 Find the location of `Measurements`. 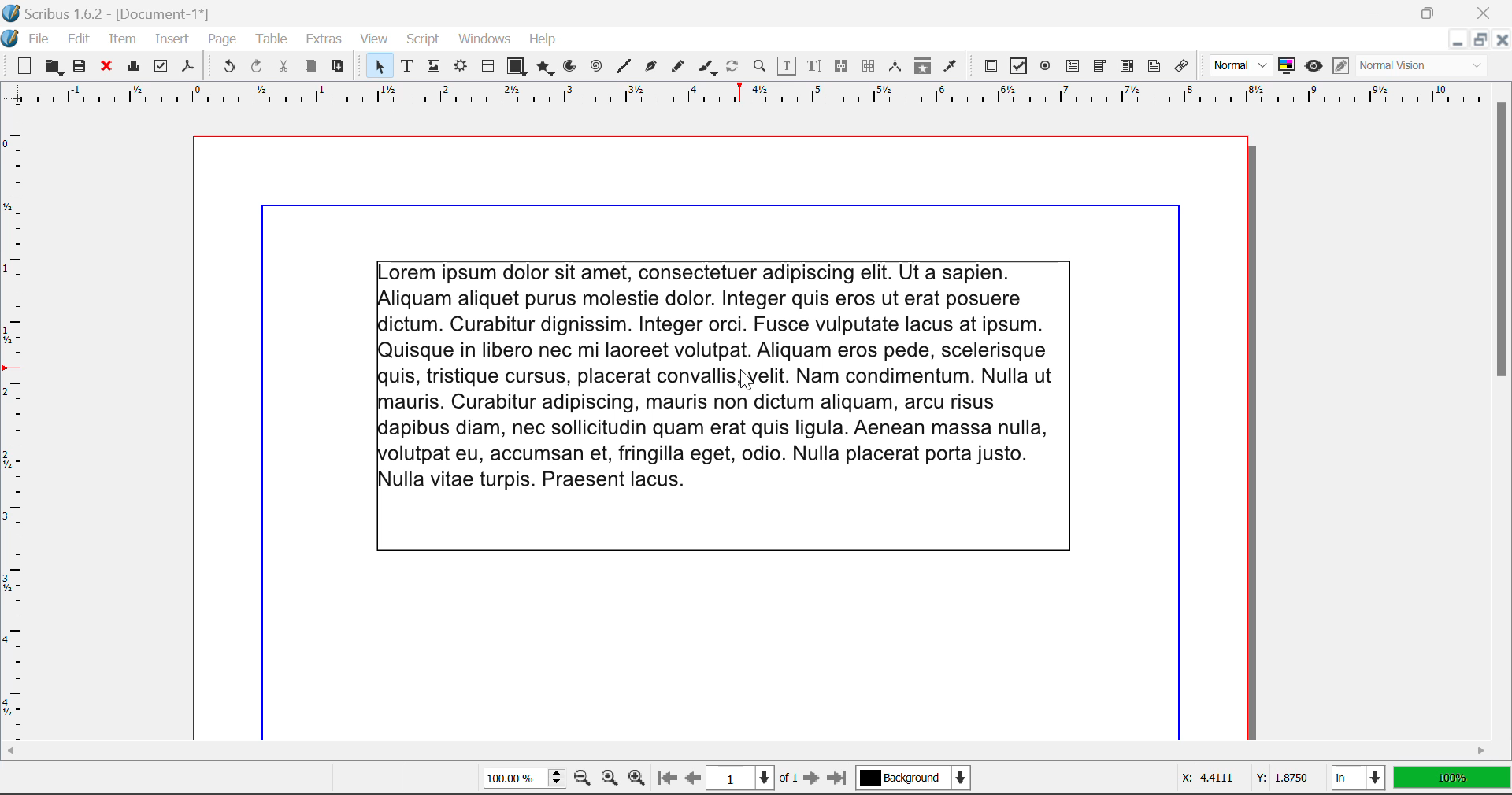

Measurements is located at coordinates (896, 66).